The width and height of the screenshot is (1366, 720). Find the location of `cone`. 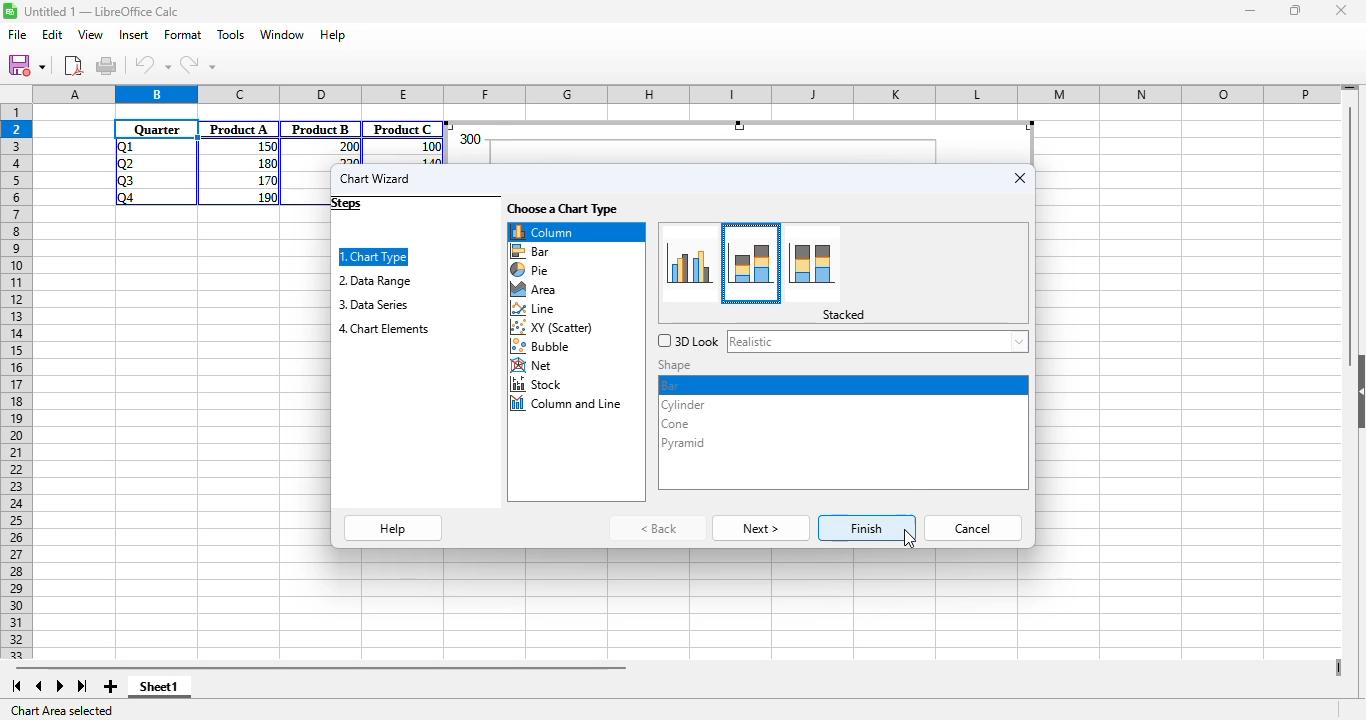

cone is located at coordinates (674, 425).